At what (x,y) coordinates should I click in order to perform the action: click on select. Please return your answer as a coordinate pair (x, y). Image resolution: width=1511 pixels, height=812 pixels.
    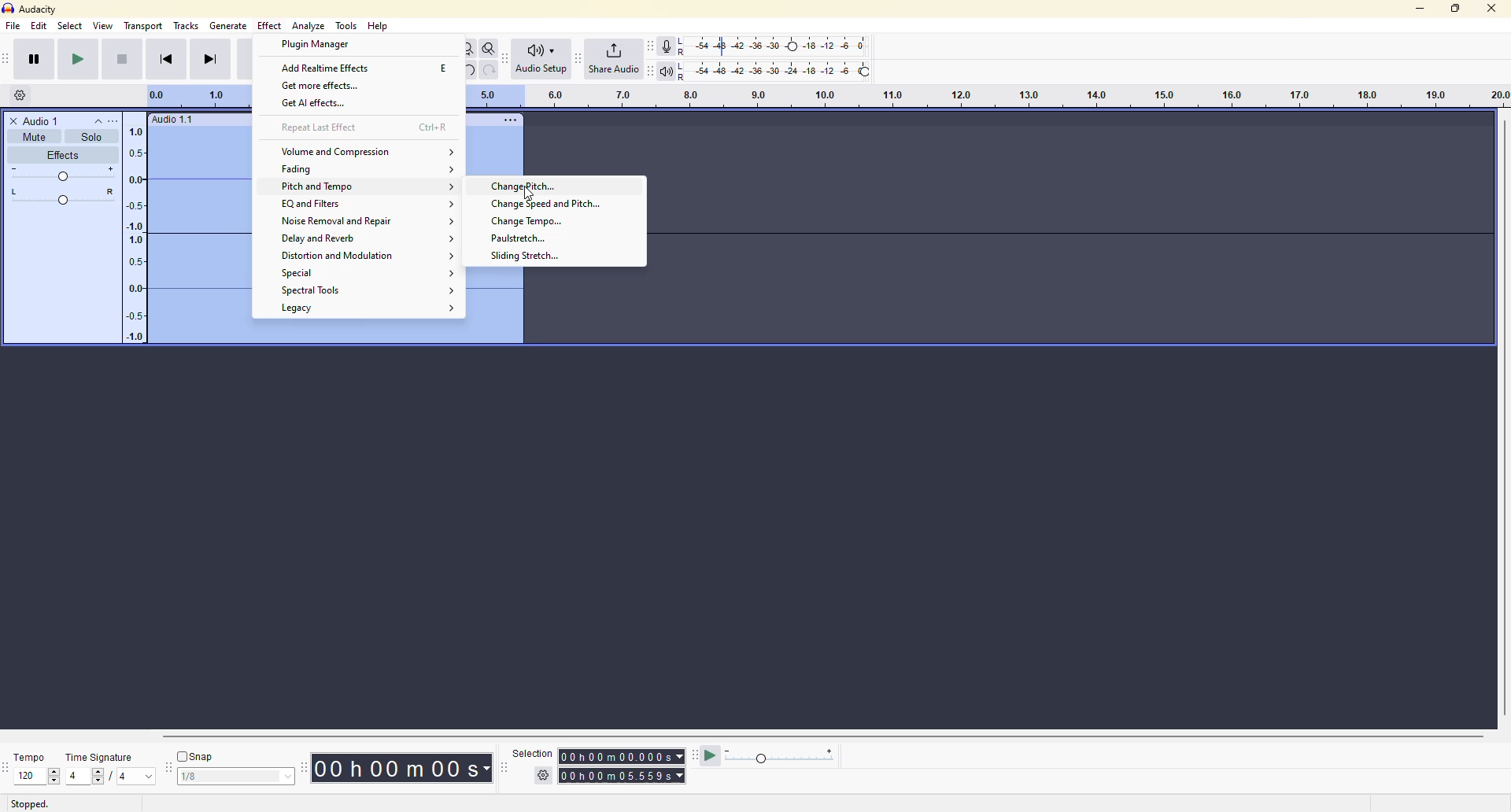
    Looking at the image, I should click on (101, 777).